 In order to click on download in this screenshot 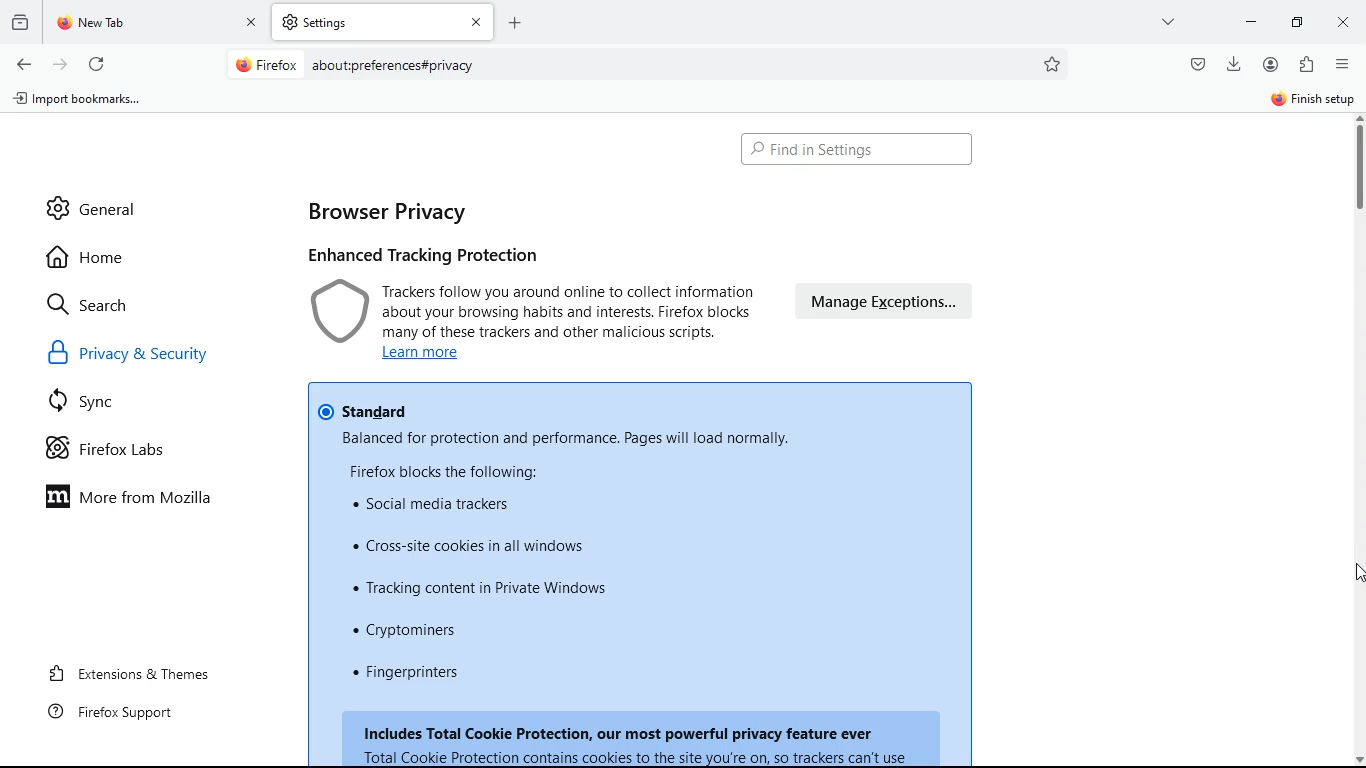, I will do `click(1234, 62)`.